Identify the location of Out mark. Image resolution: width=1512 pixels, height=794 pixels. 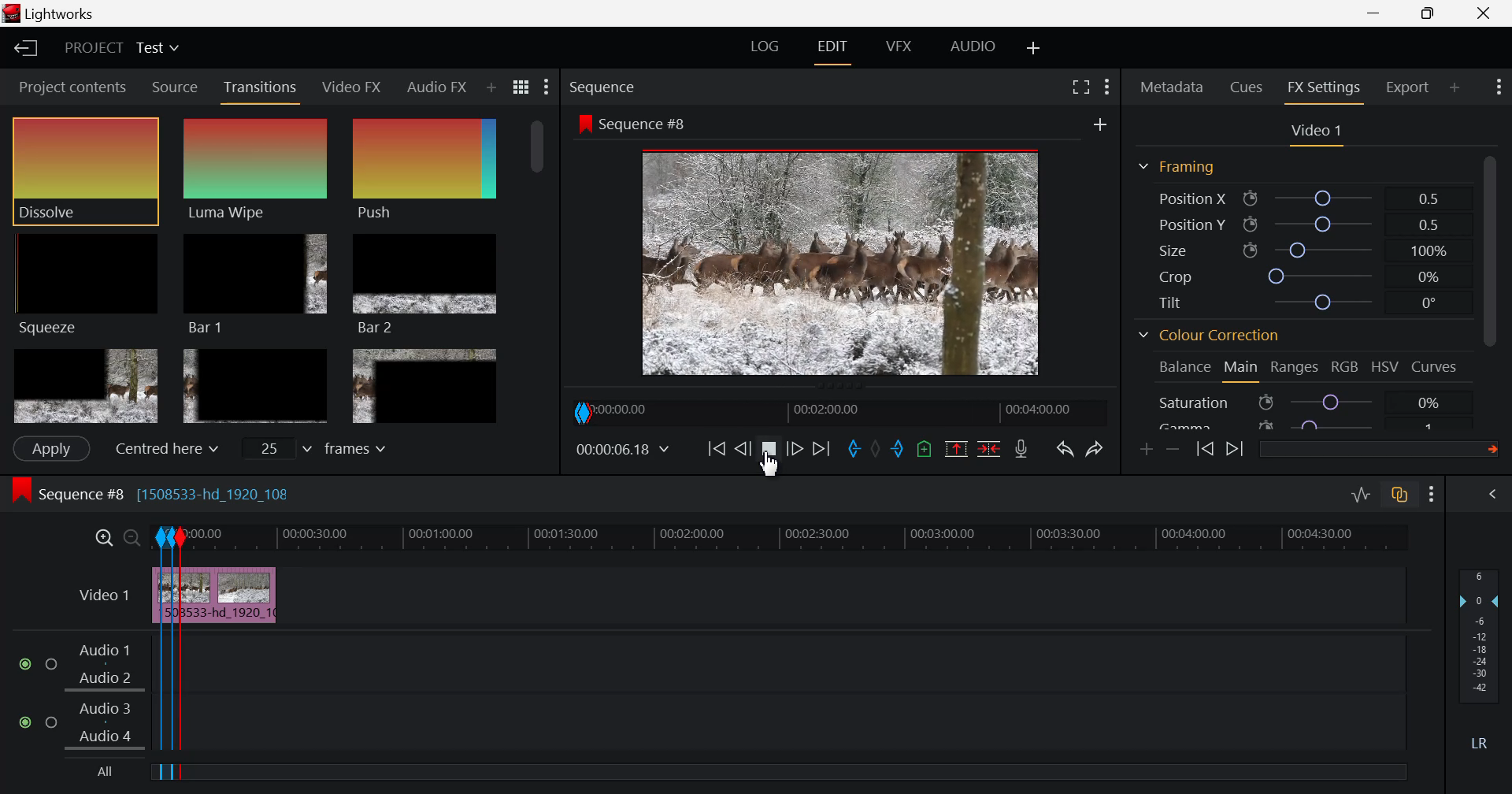
(898, 450).